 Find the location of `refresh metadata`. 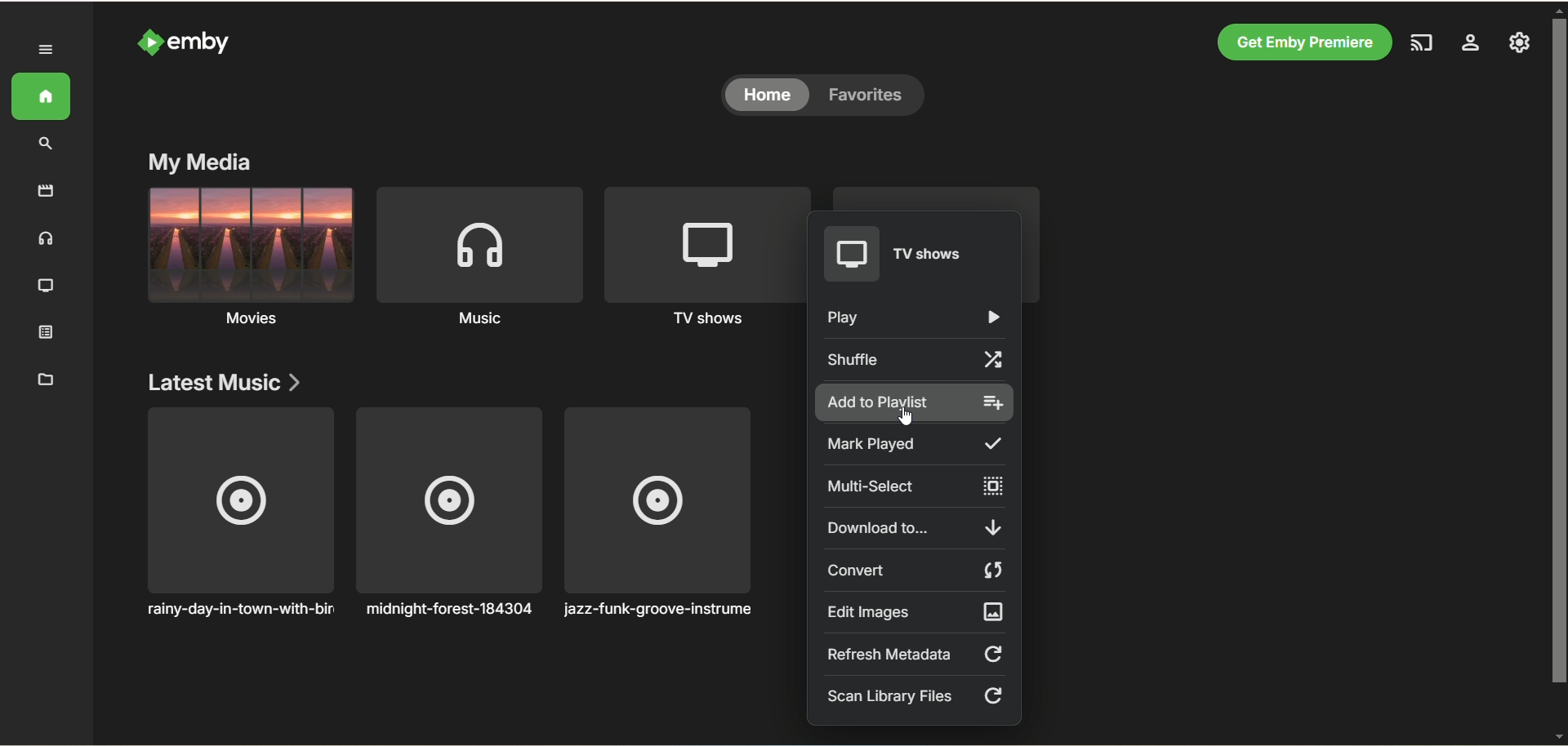

refresh metadata is located at coordinates (915, 654).